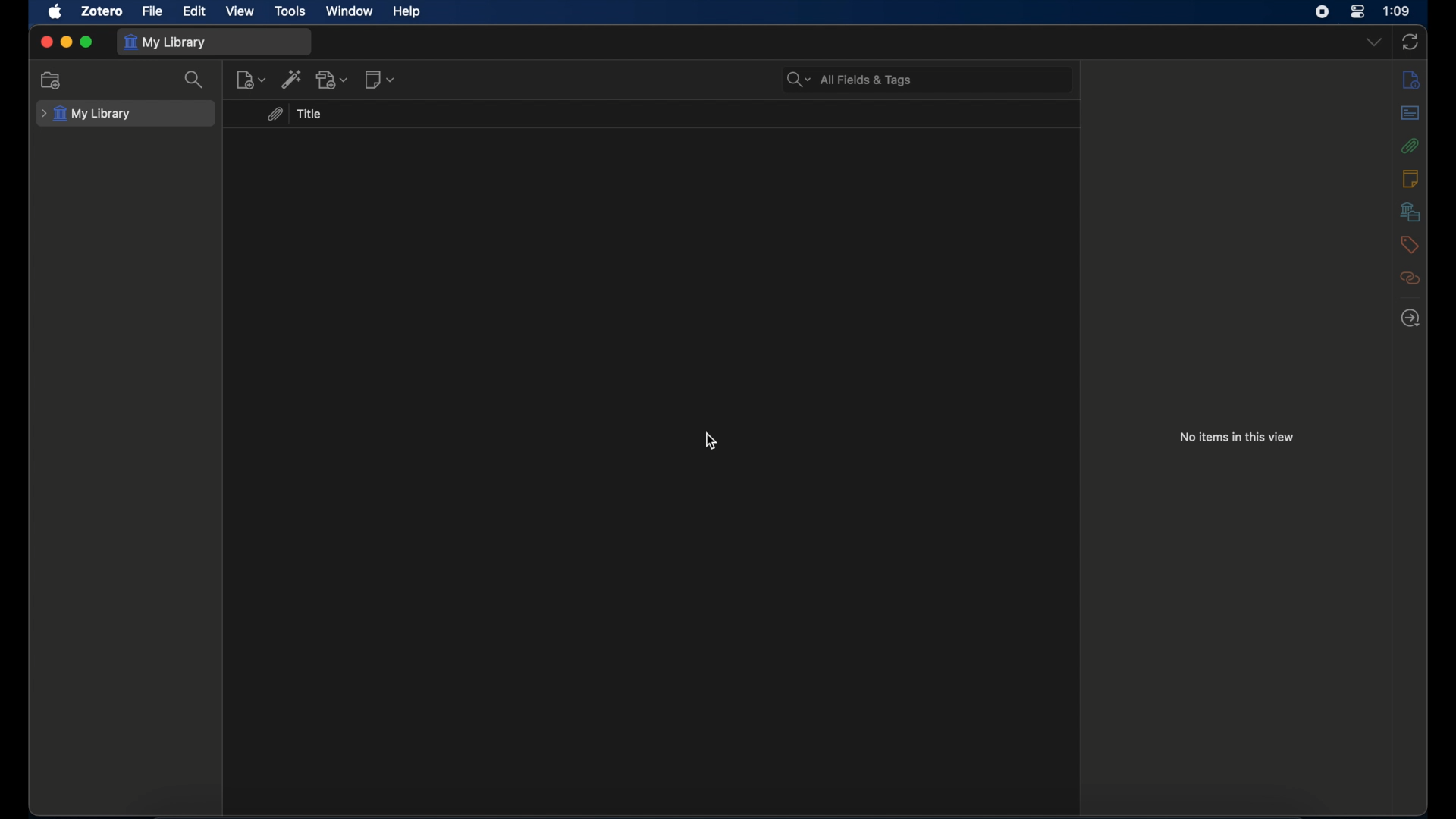 The height and width of the screenshot is (819, 1456). I want to click on control center, so click(1357, 11).